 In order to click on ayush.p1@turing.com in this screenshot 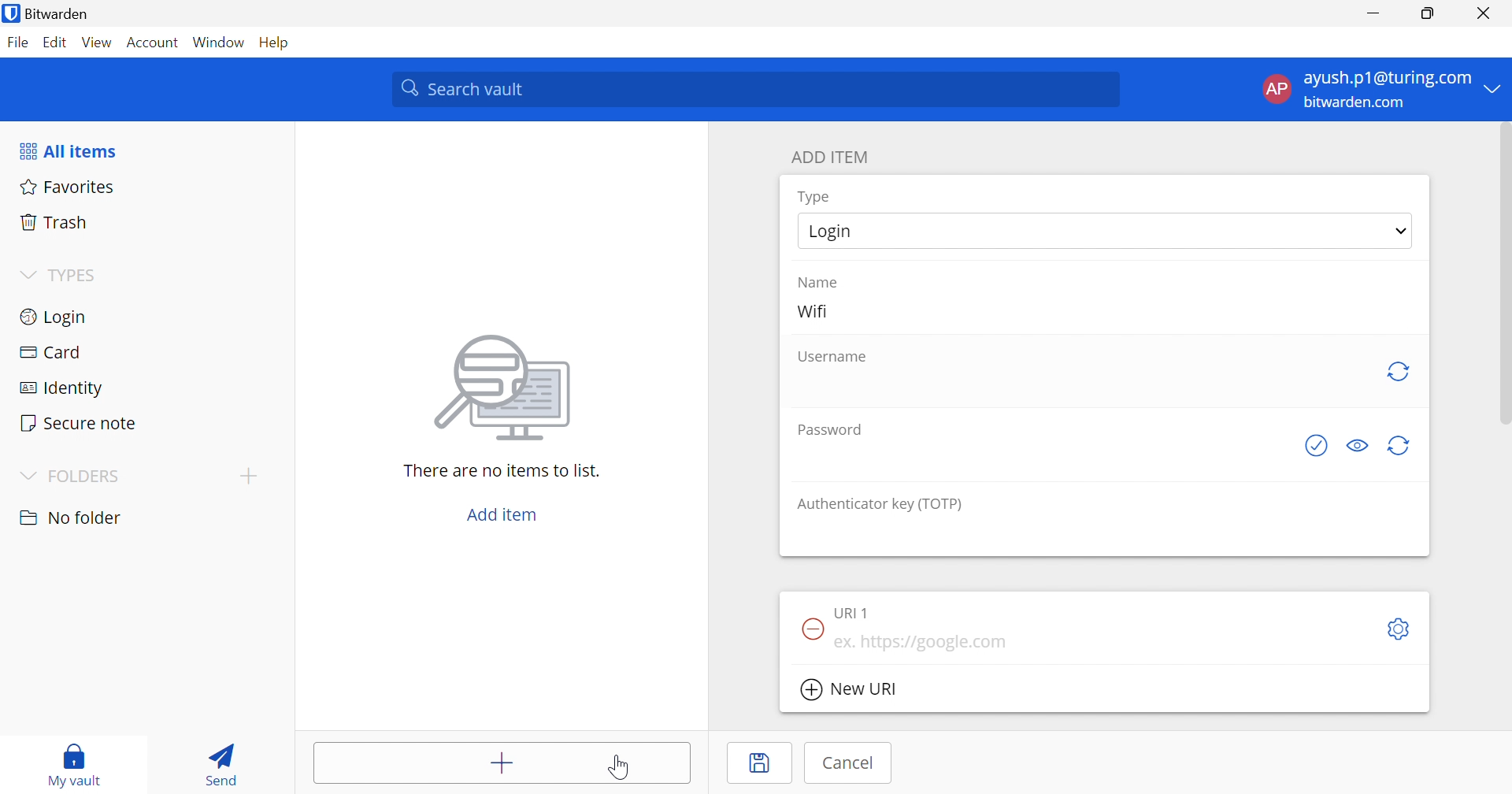, I will do `click(1388, 79)`.